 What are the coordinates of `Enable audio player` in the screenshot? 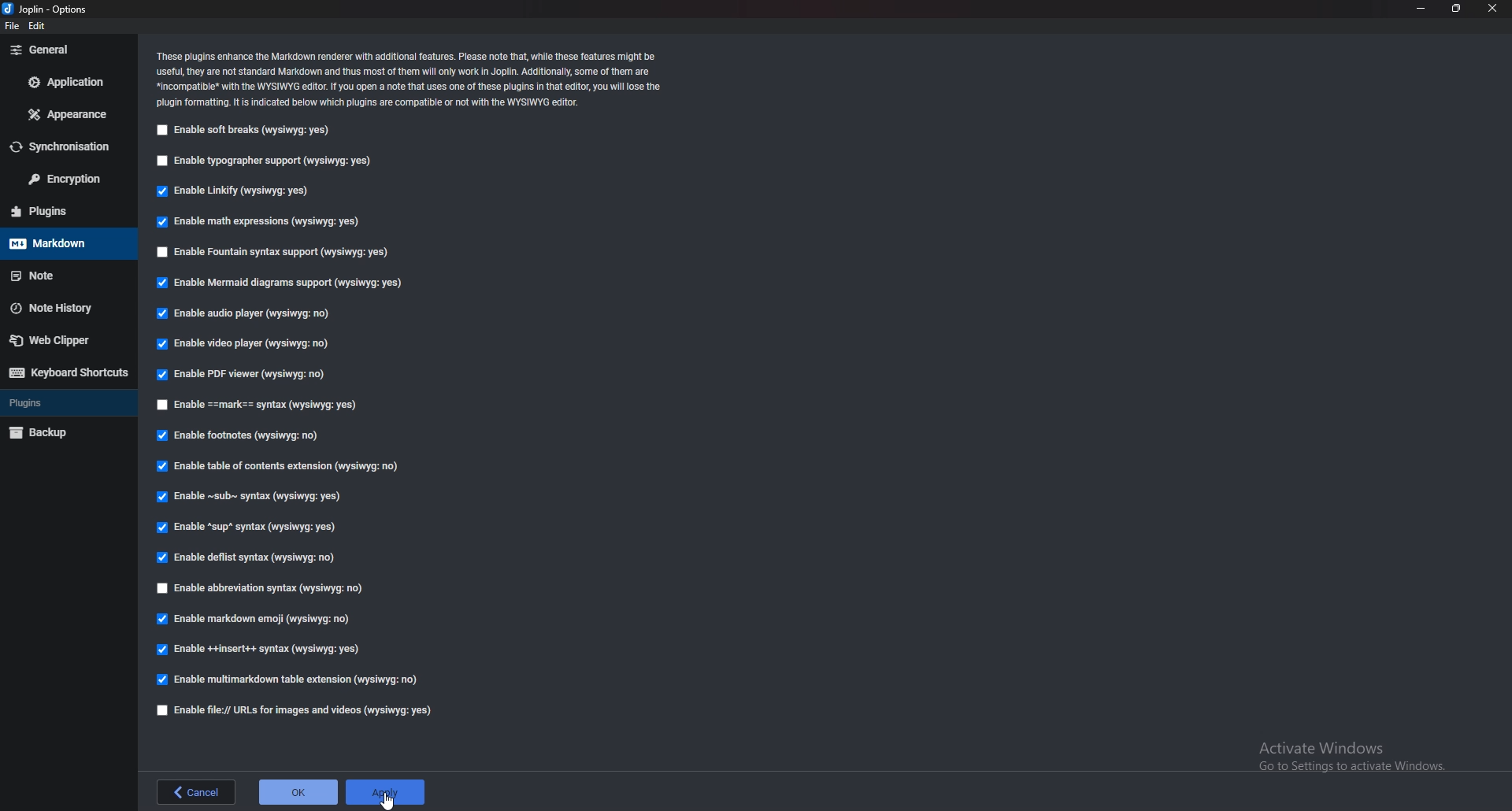 It's located at (248, 315).